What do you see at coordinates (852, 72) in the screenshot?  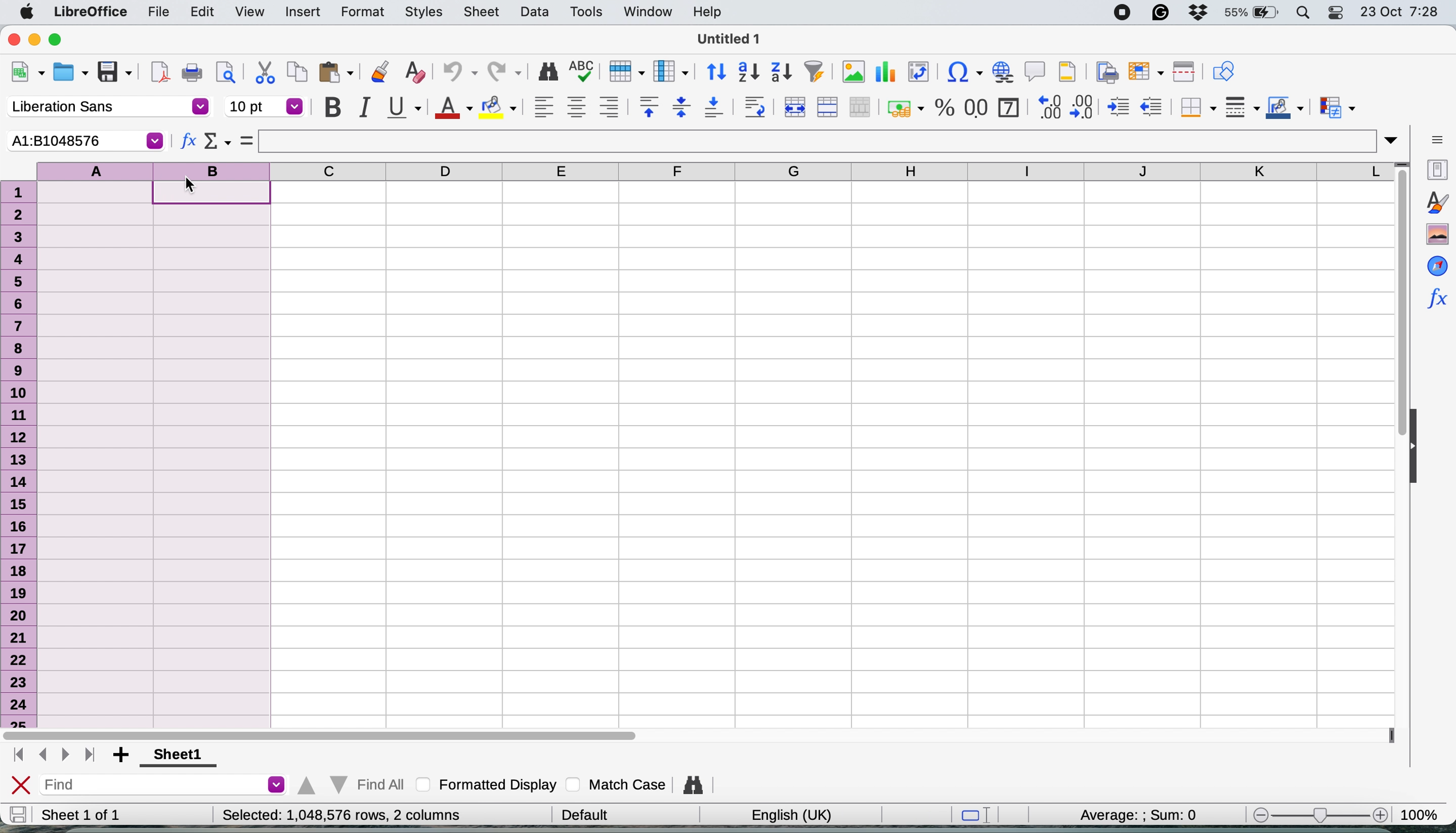 I see `insert chart` at bounding box center [852, 72].